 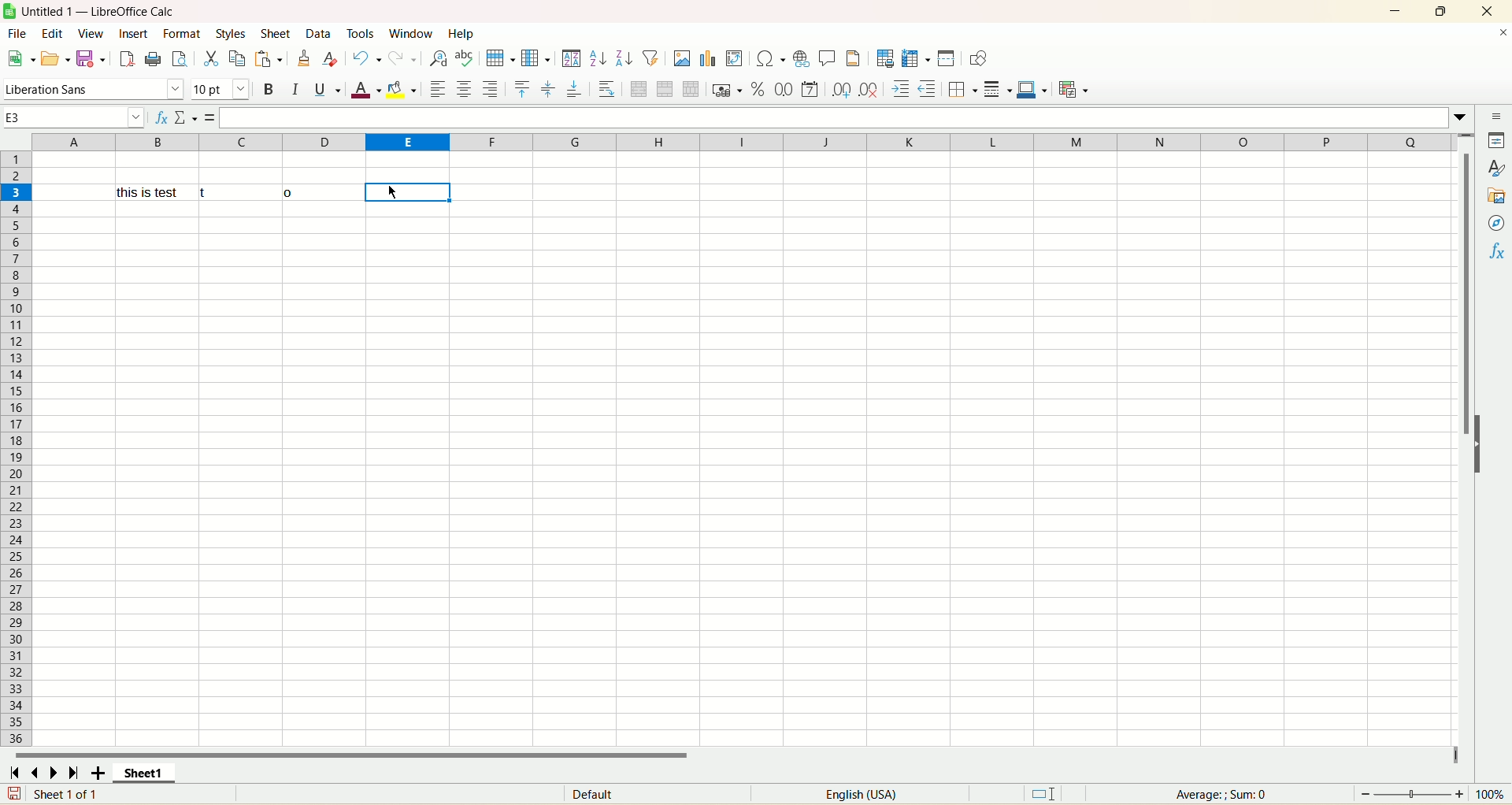 What do you see at coordinates (1218, 794) in the screenshot?
I see `average` at bounding box center [1218, 794].